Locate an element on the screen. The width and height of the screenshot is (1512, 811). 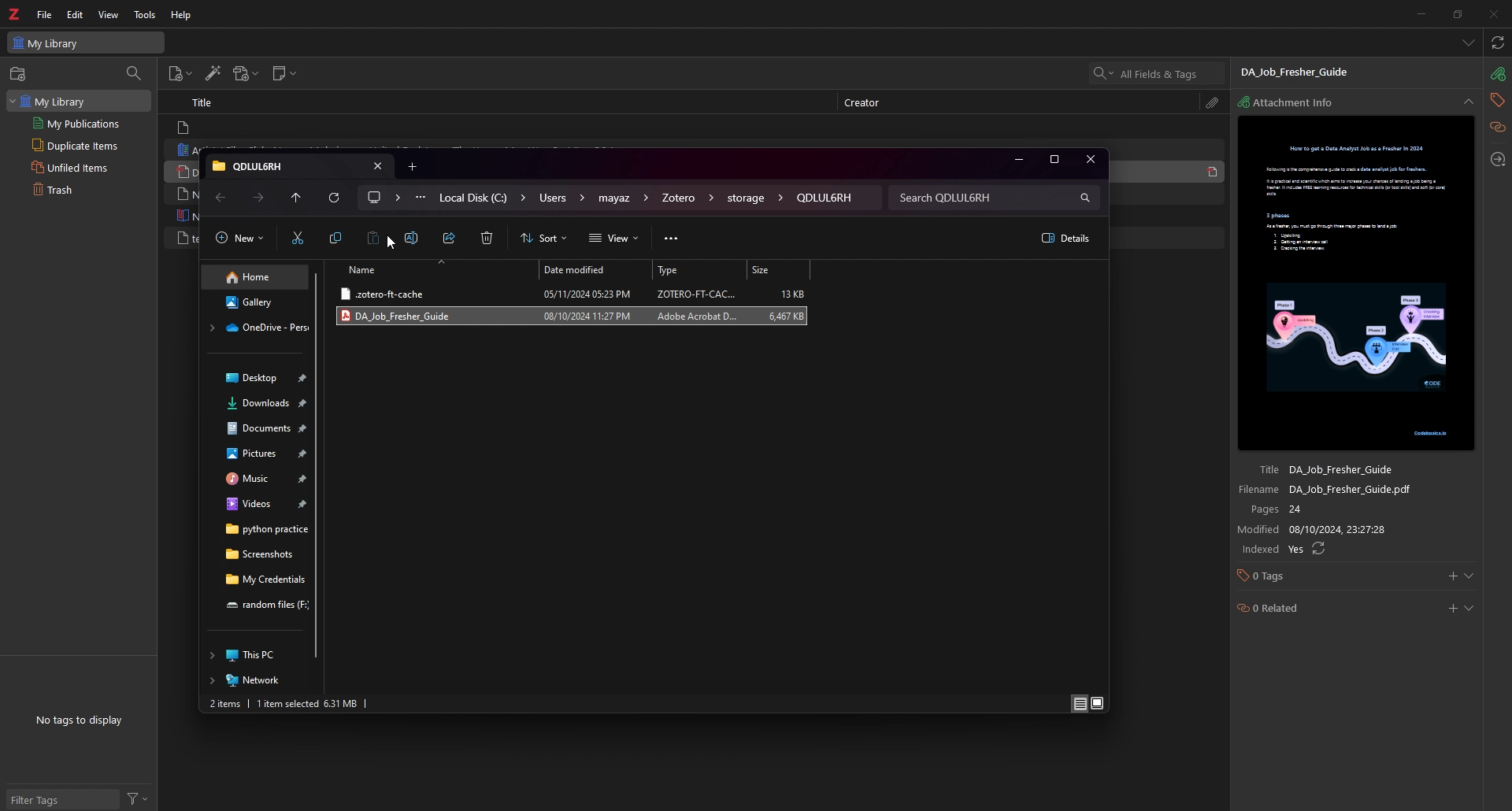
unfiled items is located at coordinates (79, 166).